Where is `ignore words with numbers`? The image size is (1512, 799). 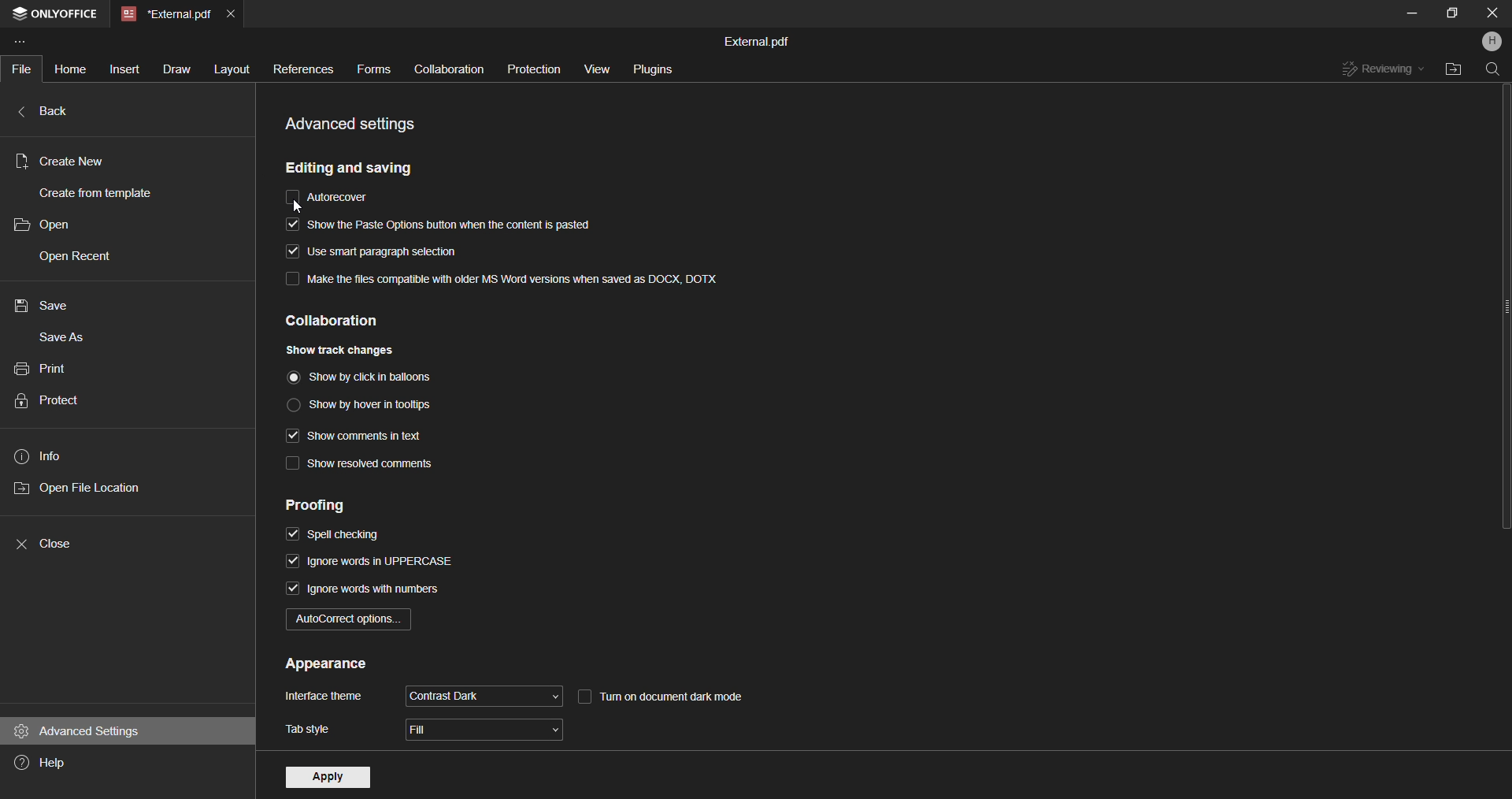 ignore words with numbers is located at coordinates (366, 593).